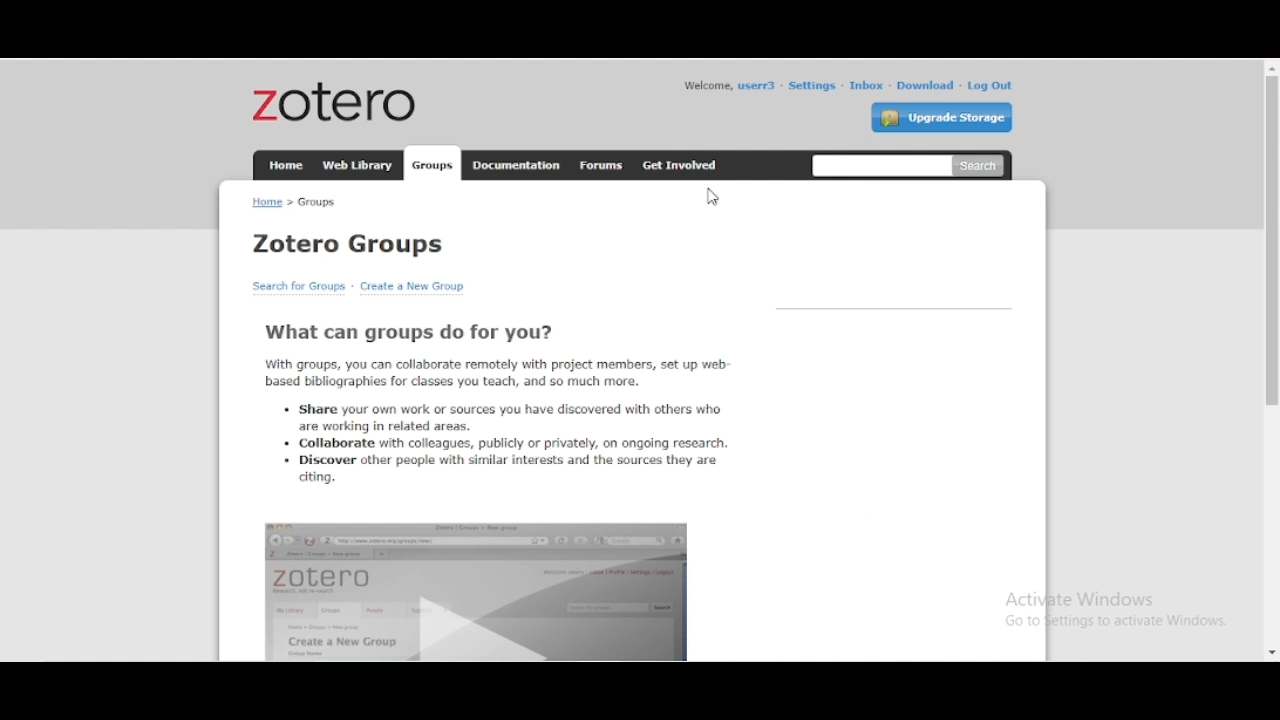 Image resolution: width=1280 pixels, height=720 pixels. What do you see at coordinates (432, 166) in the screenshot?
I see `groups` at bounding box center [432, 166].